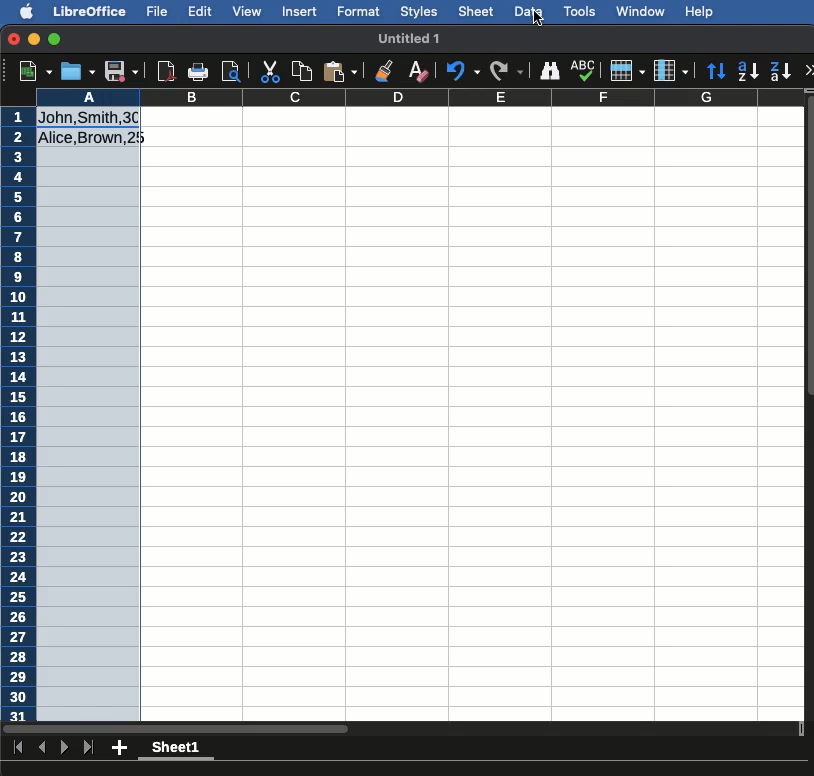 Image resolution: width=814 pixels, height=776 pixels. I want to click on Sheet, so click(477, 11).